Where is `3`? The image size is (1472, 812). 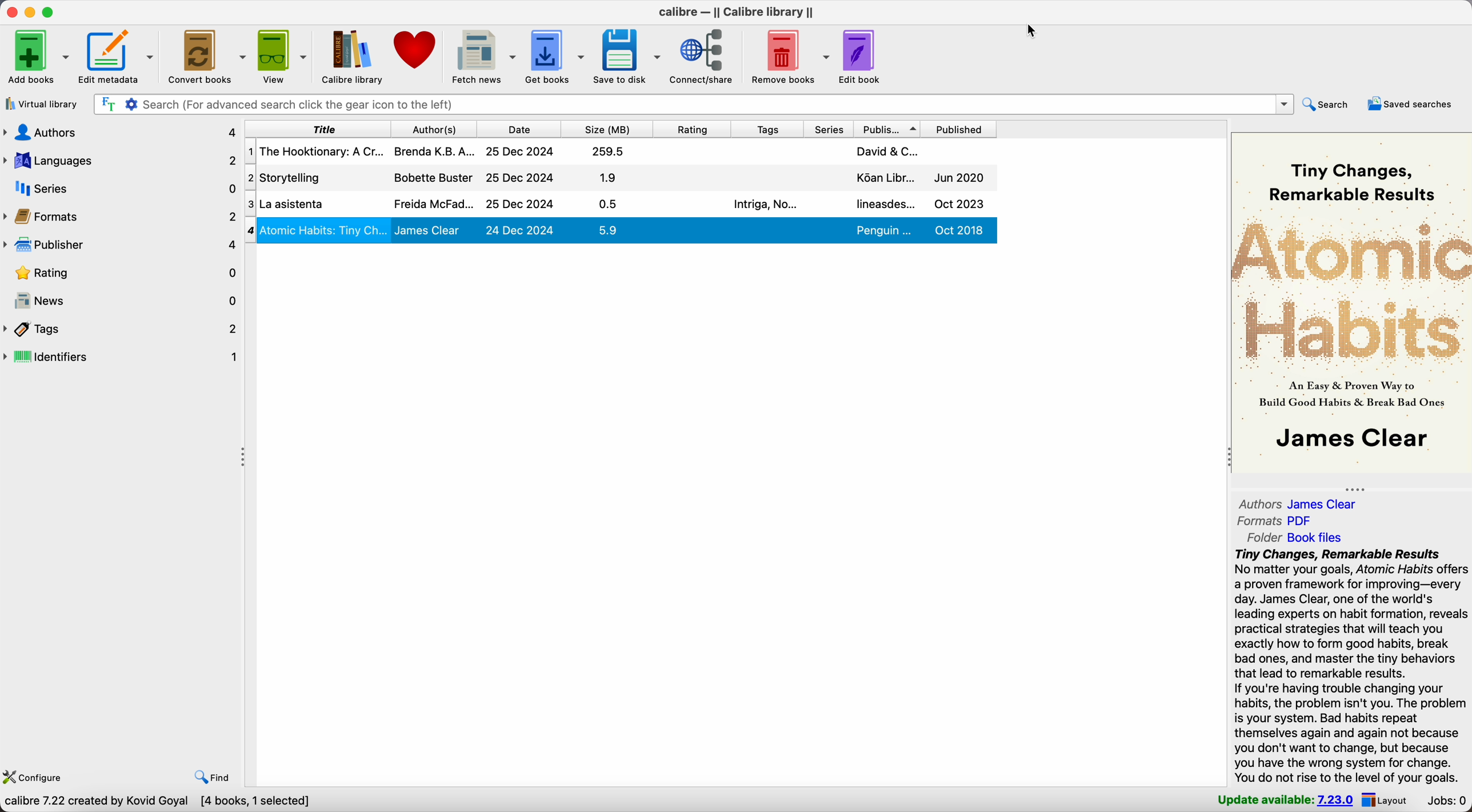
3 is located at coordinates (250, 202).